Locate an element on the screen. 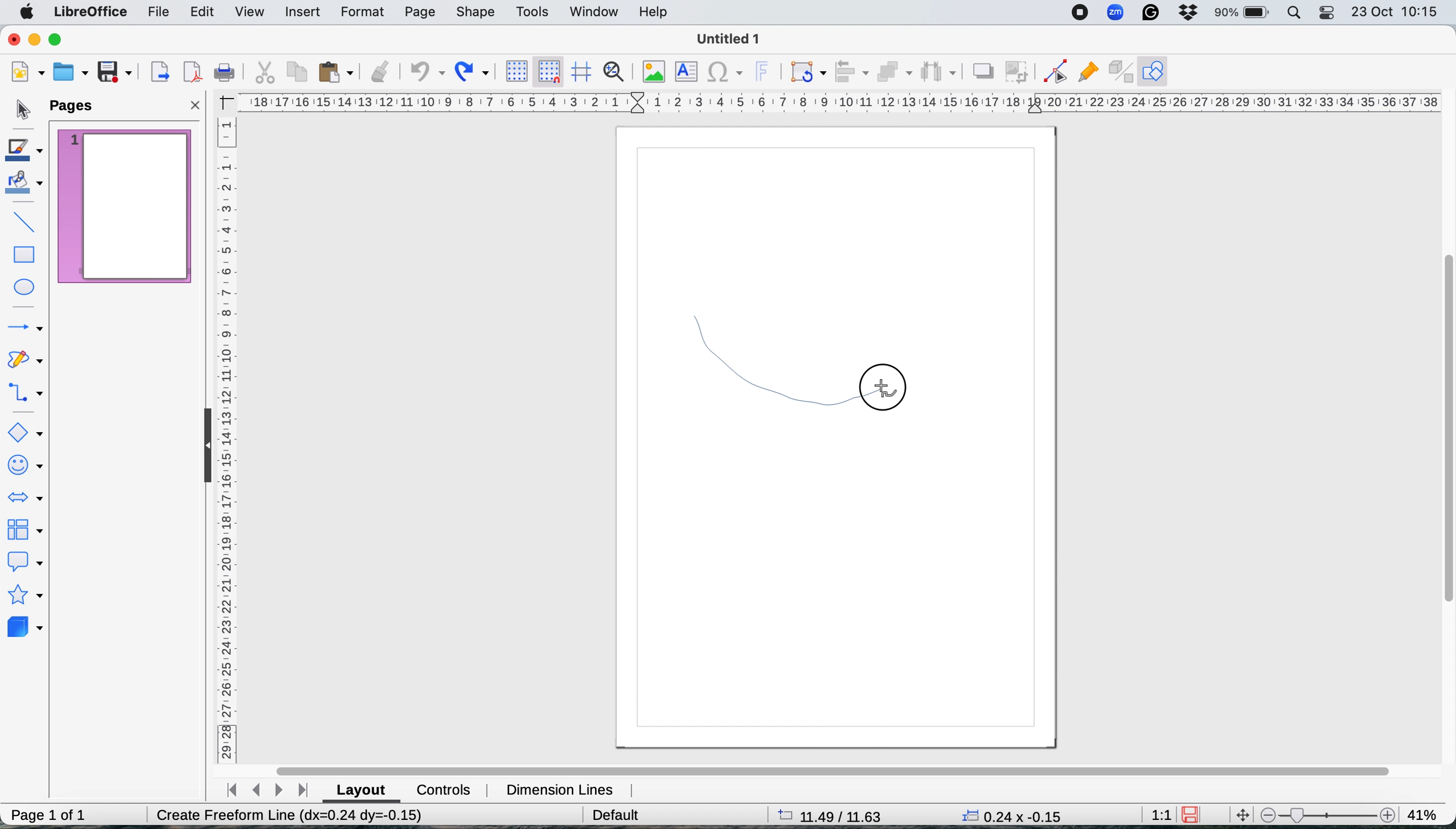 The image size is (1456, 829). symbol shapes is located at coordinates (27, 466).